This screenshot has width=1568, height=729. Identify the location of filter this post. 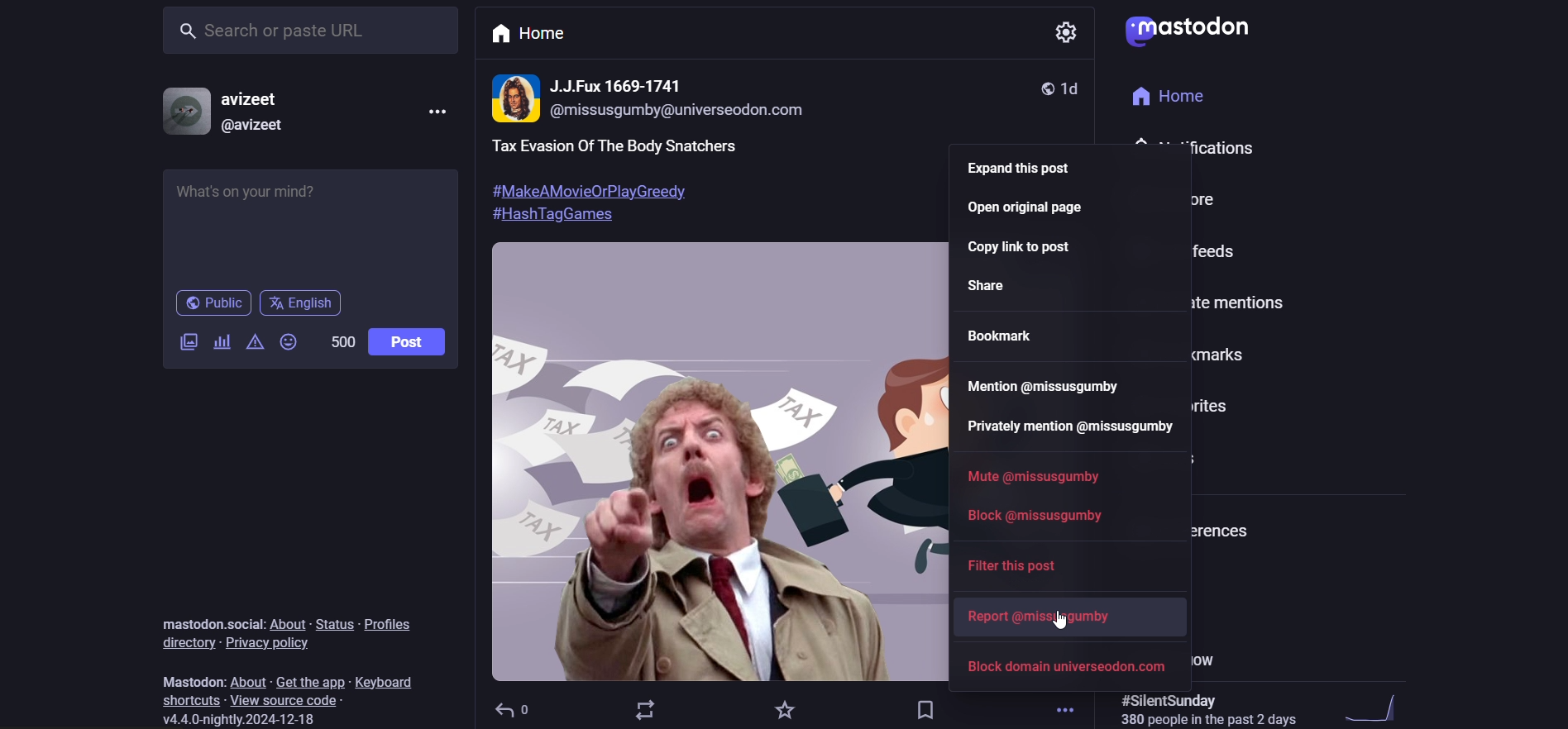
(1014, 565).